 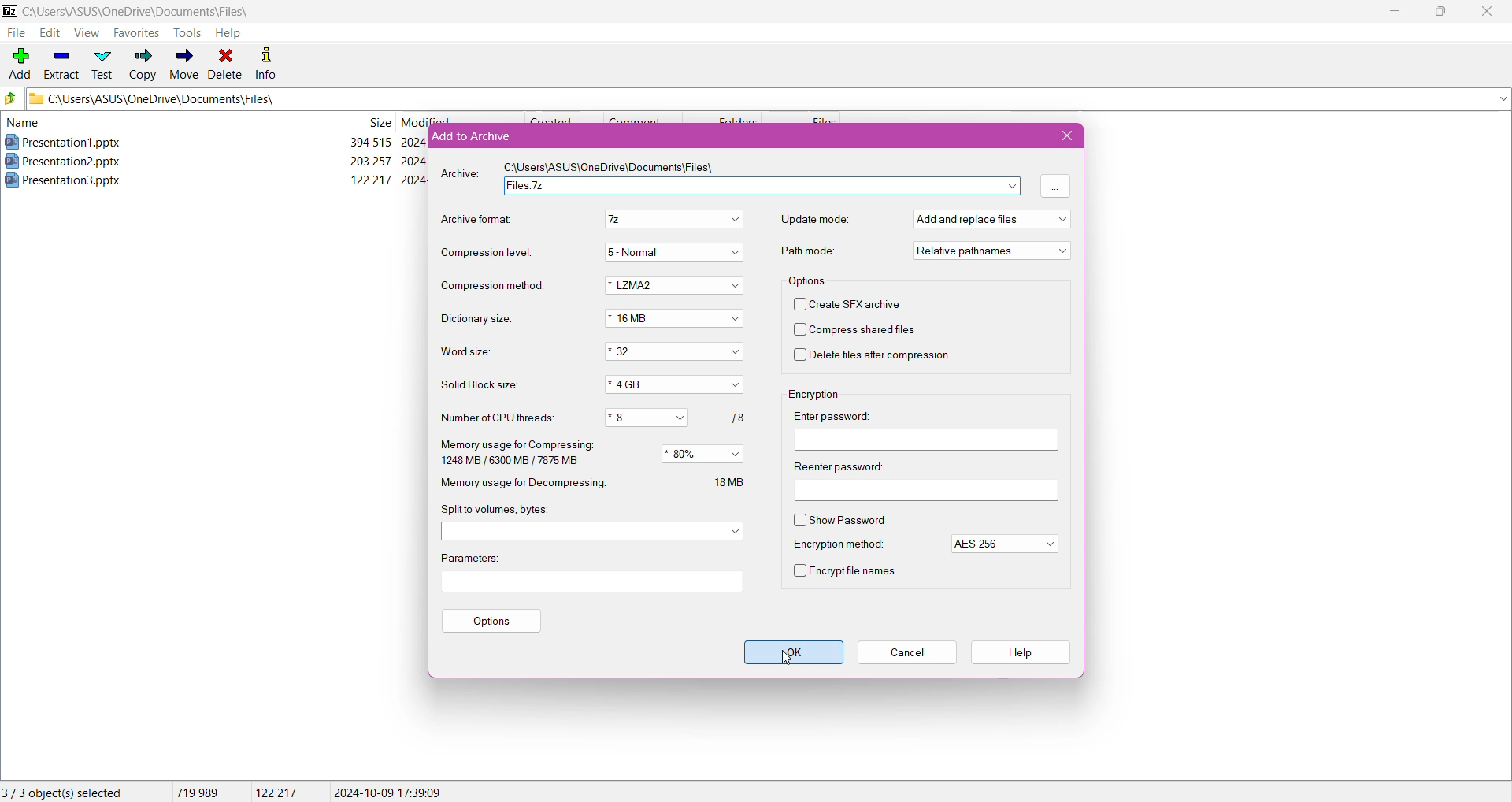 I want to click on View, so click(x=86, y=33).